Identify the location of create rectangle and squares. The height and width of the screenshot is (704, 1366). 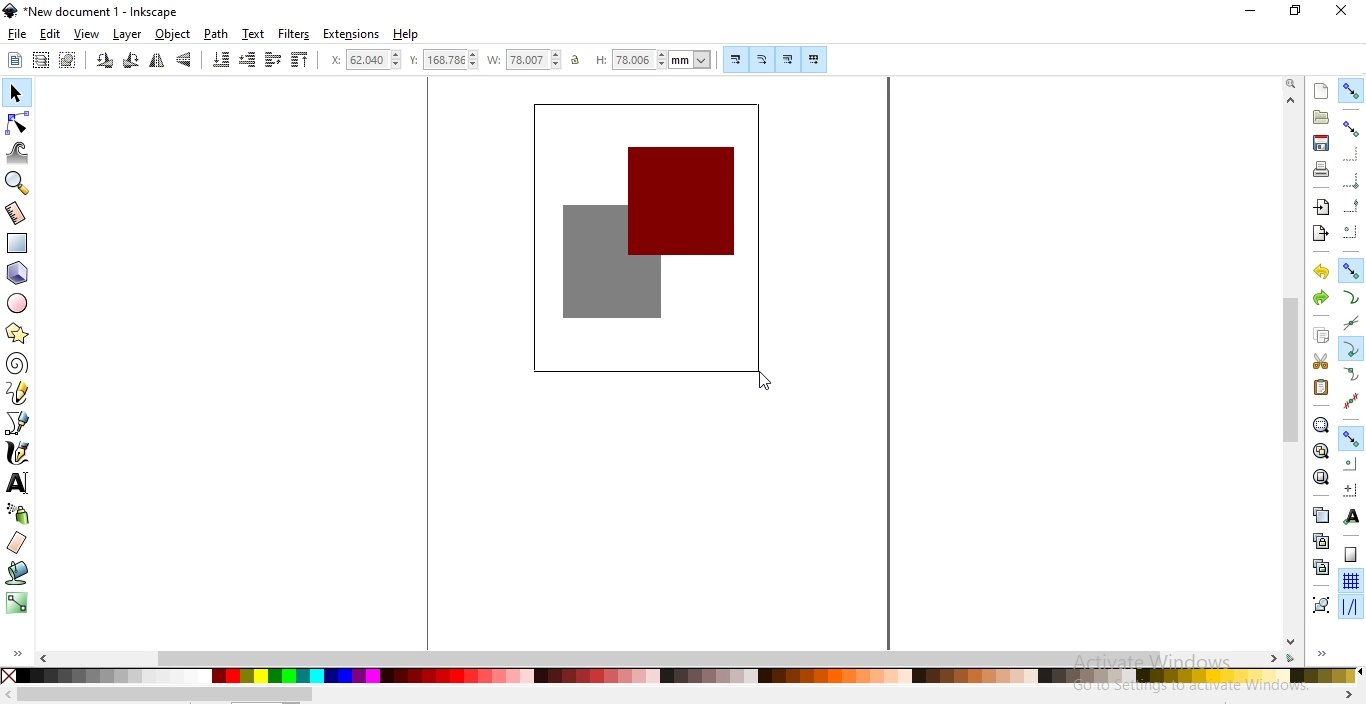
(18, 243).